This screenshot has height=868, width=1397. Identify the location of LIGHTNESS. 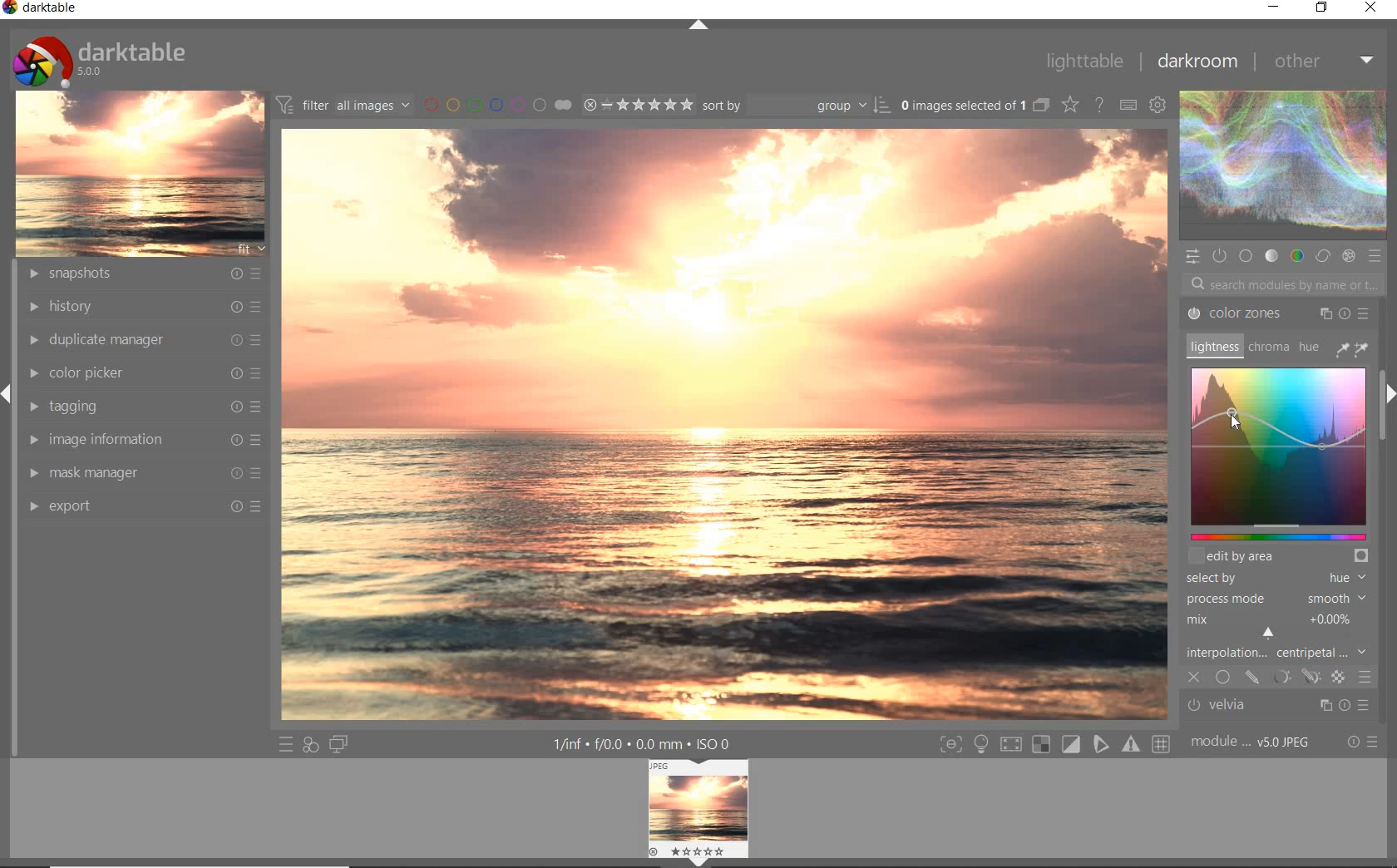
(1212, 346).